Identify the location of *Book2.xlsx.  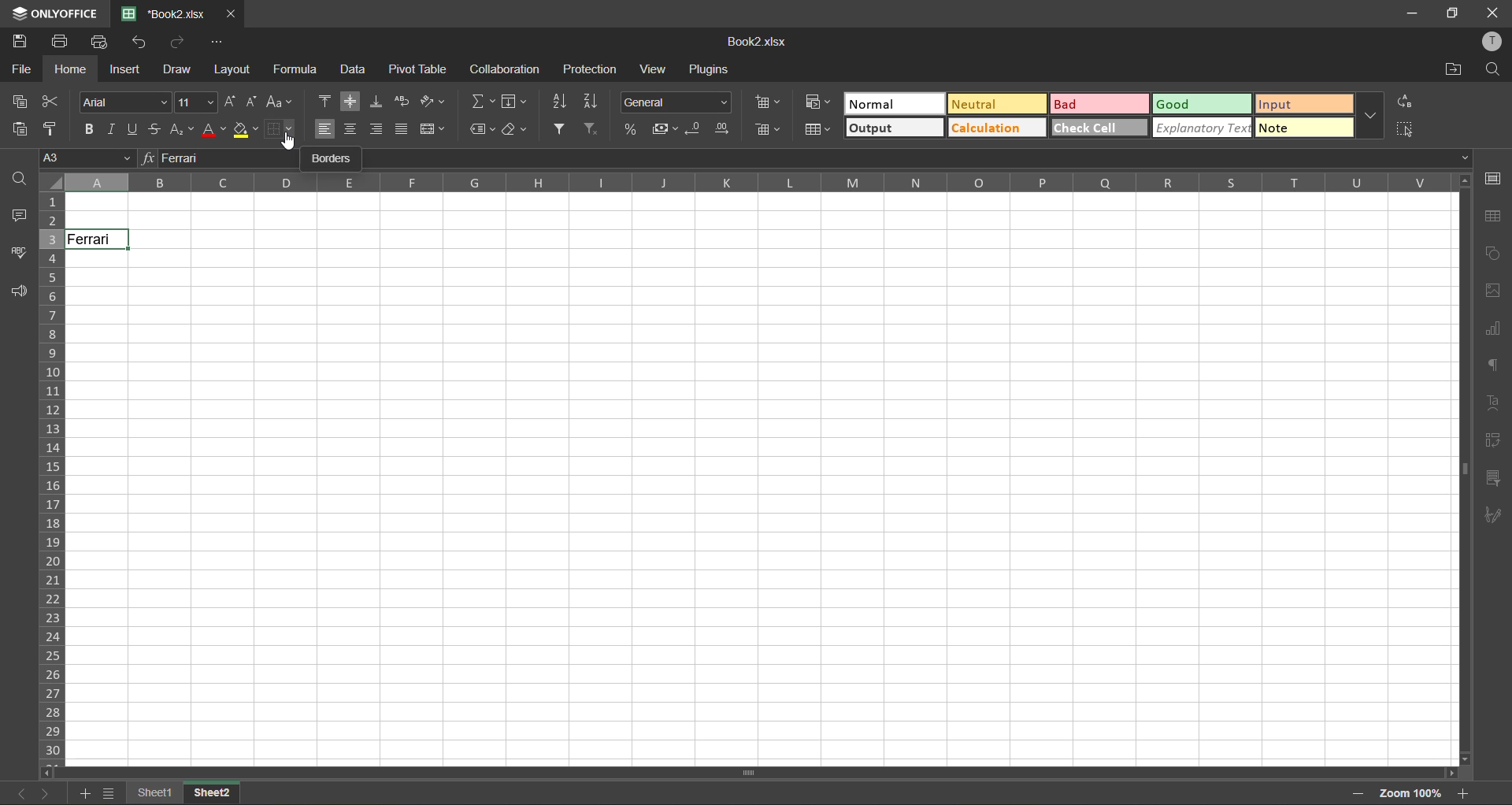
(170, 12).